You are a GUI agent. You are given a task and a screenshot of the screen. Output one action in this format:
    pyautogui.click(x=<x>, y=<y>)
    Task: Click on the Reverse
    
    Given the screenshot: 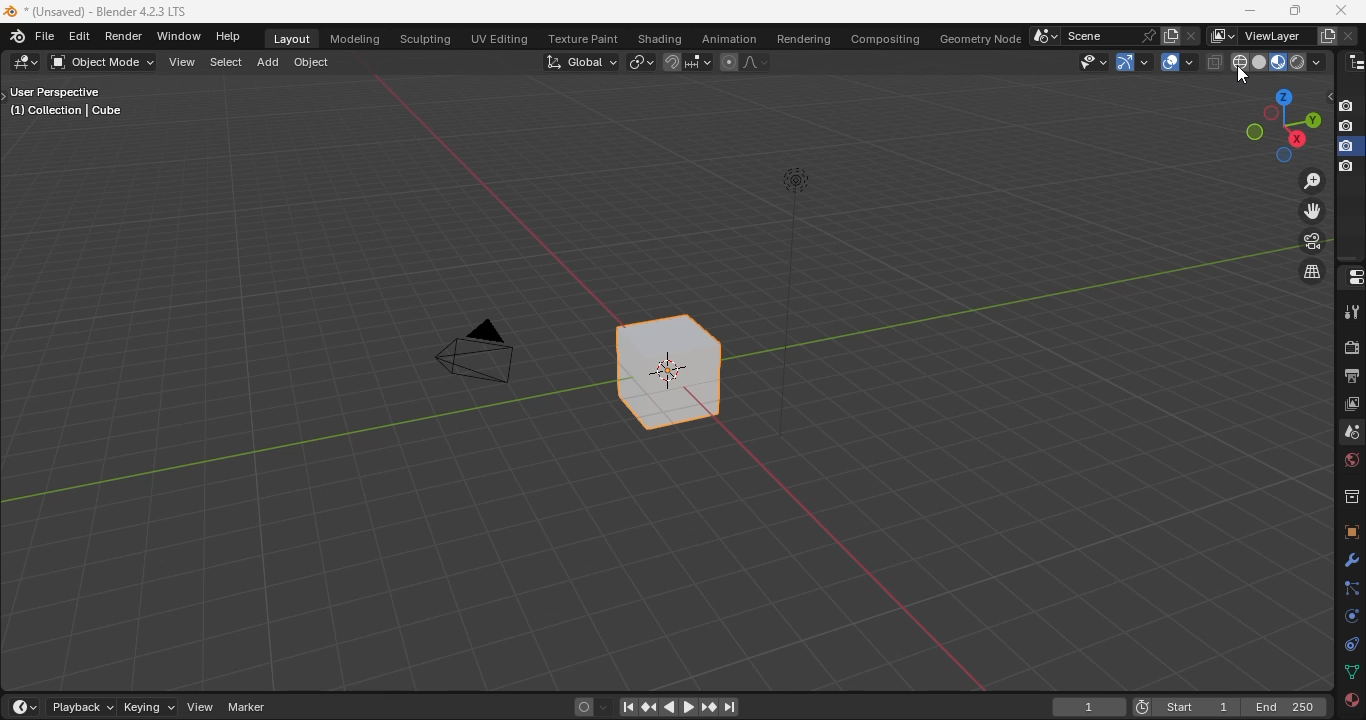 What is the action you would take?
    pyautogui.click(x=674, y=707)
    